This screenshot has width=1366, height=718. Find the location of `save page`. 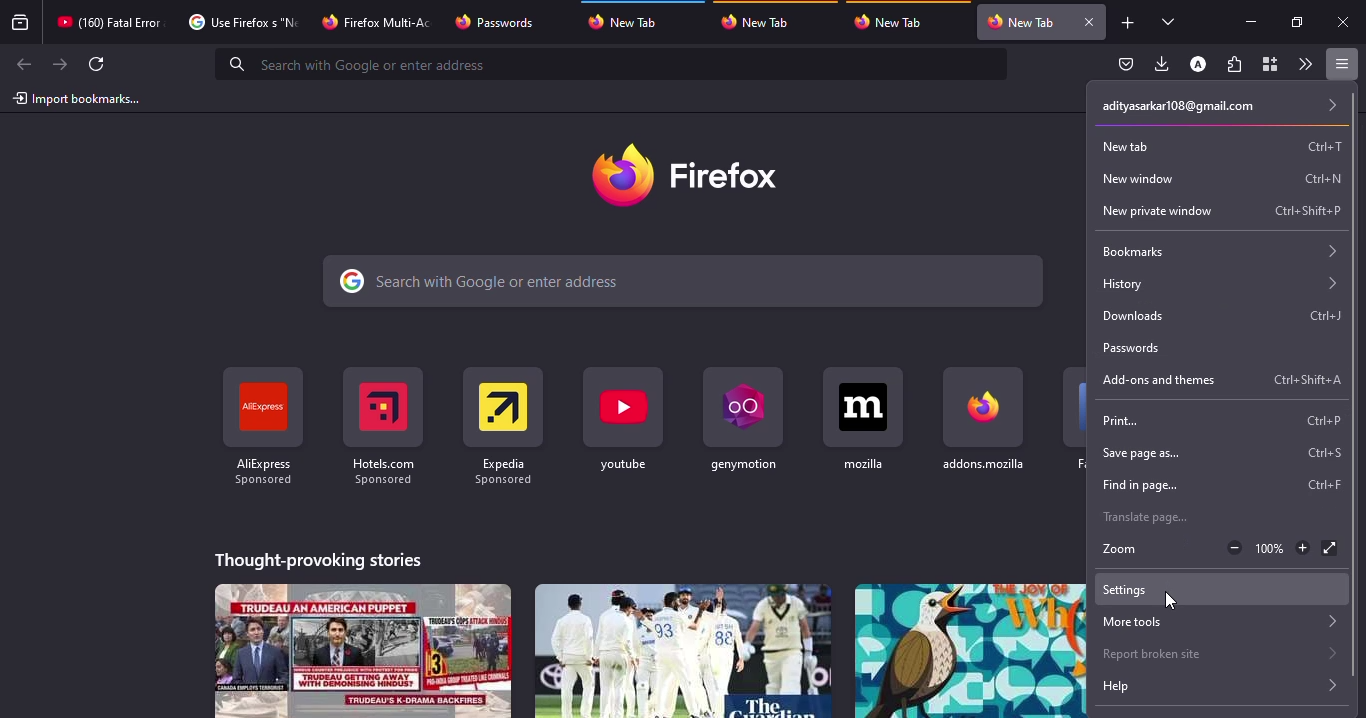

save page is located at coordinates (1139, 452).